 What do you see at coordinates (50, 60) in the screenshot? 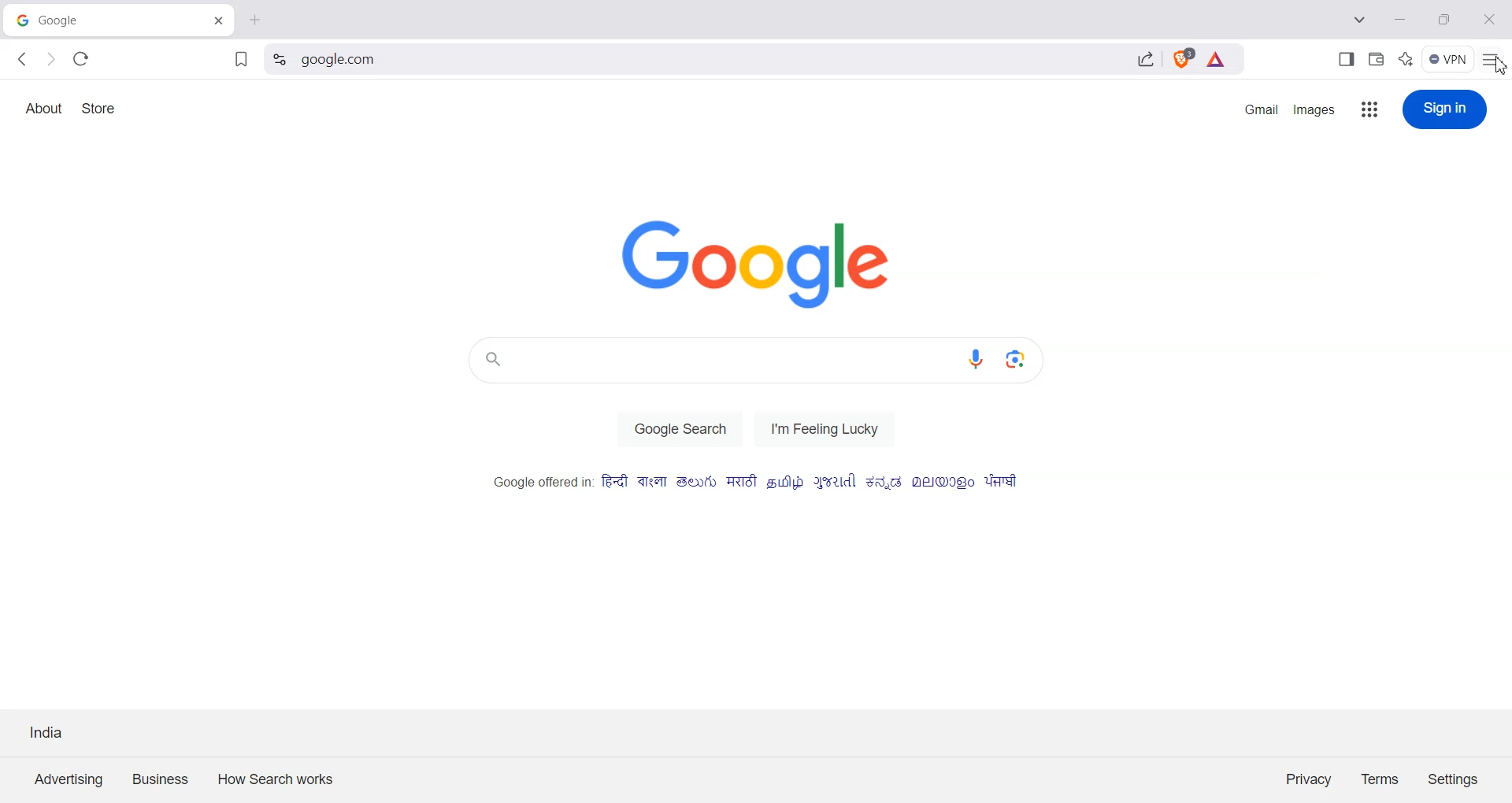
I see `Forward` at bounding box center [50, 60].